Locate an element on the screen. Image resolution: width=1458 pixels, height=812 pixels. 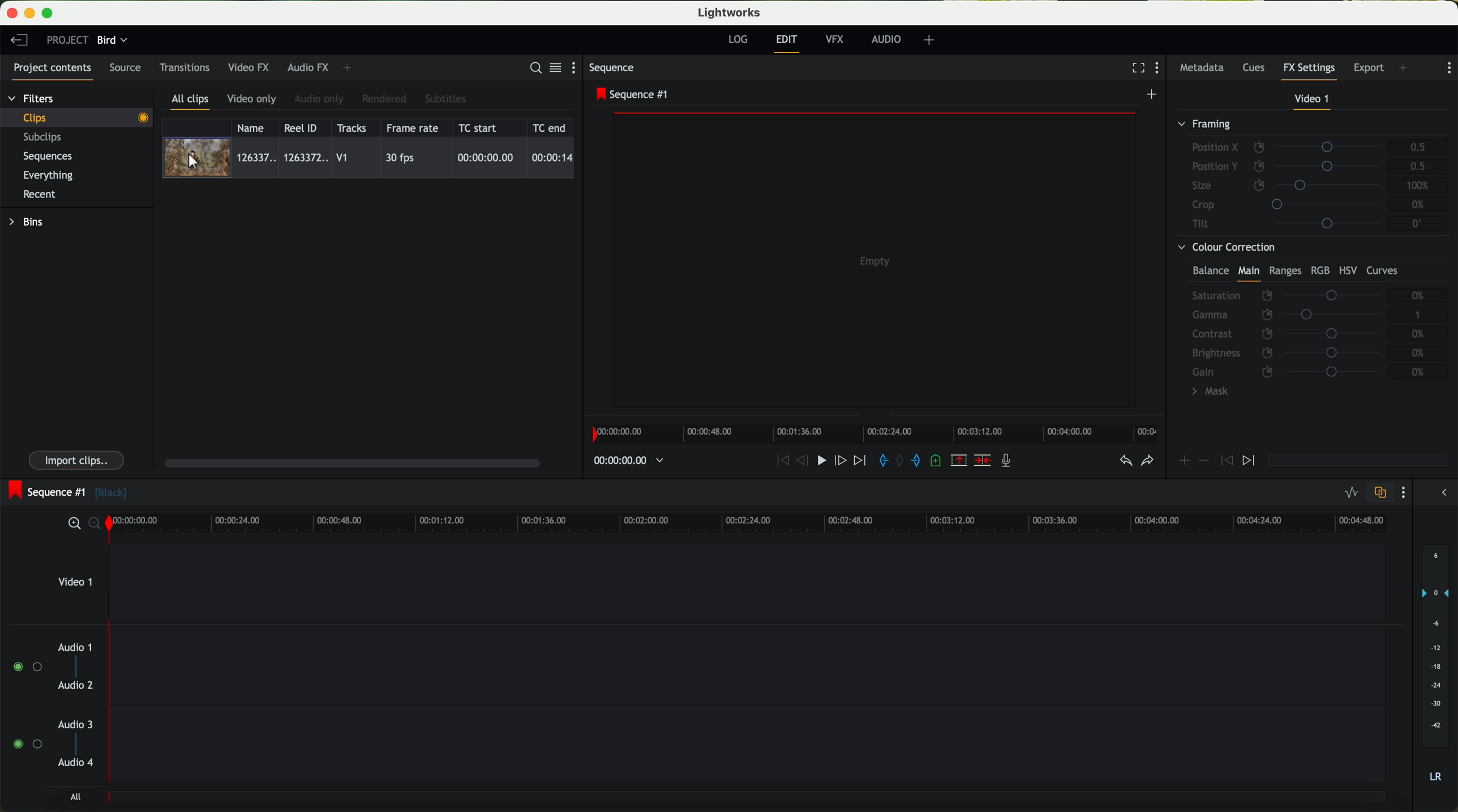
zoom out is located at coordinates (96, 525).